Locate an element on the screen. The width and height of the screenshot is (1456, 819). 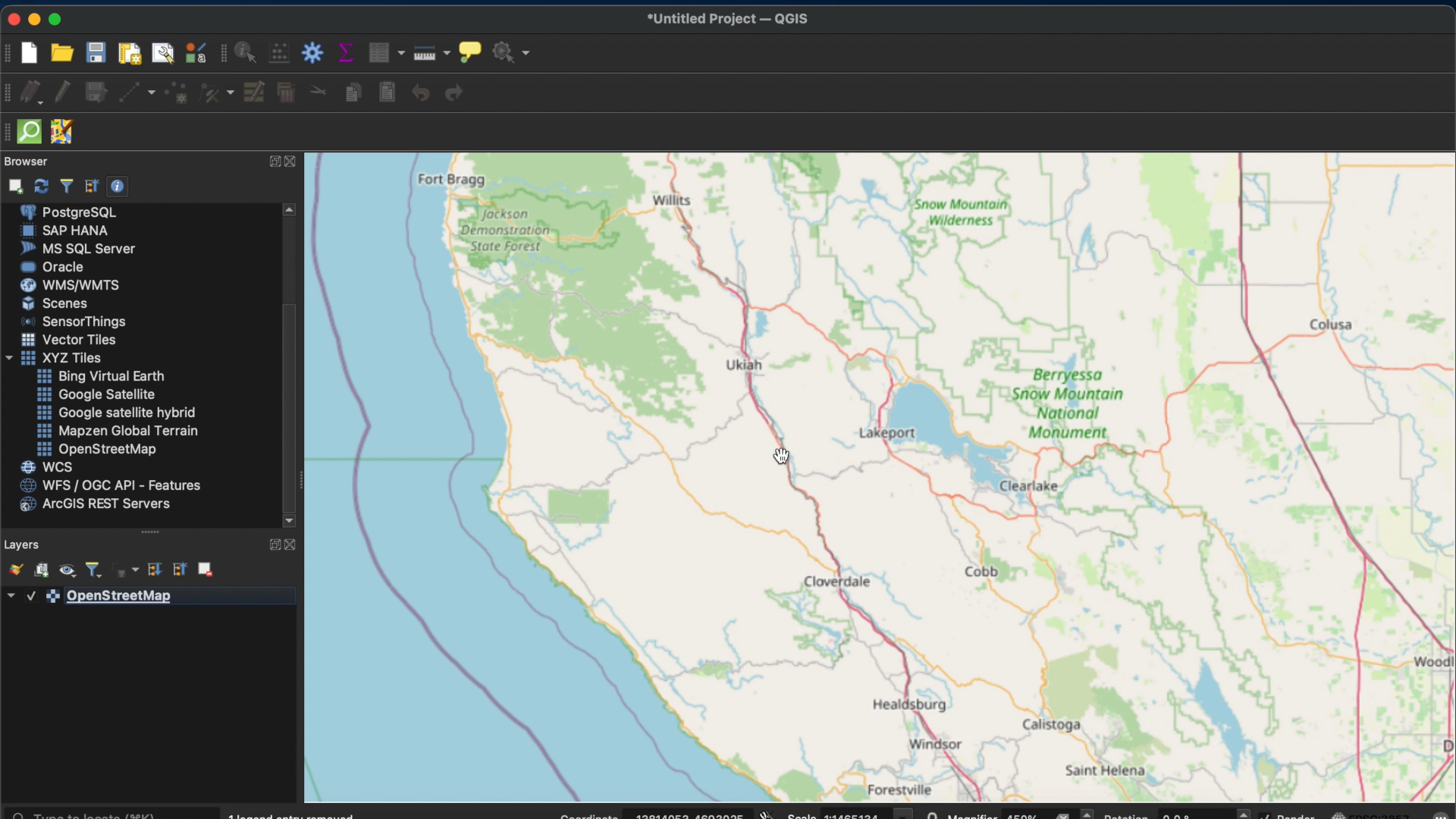
open attribute table is located at coordinates (385, 52).